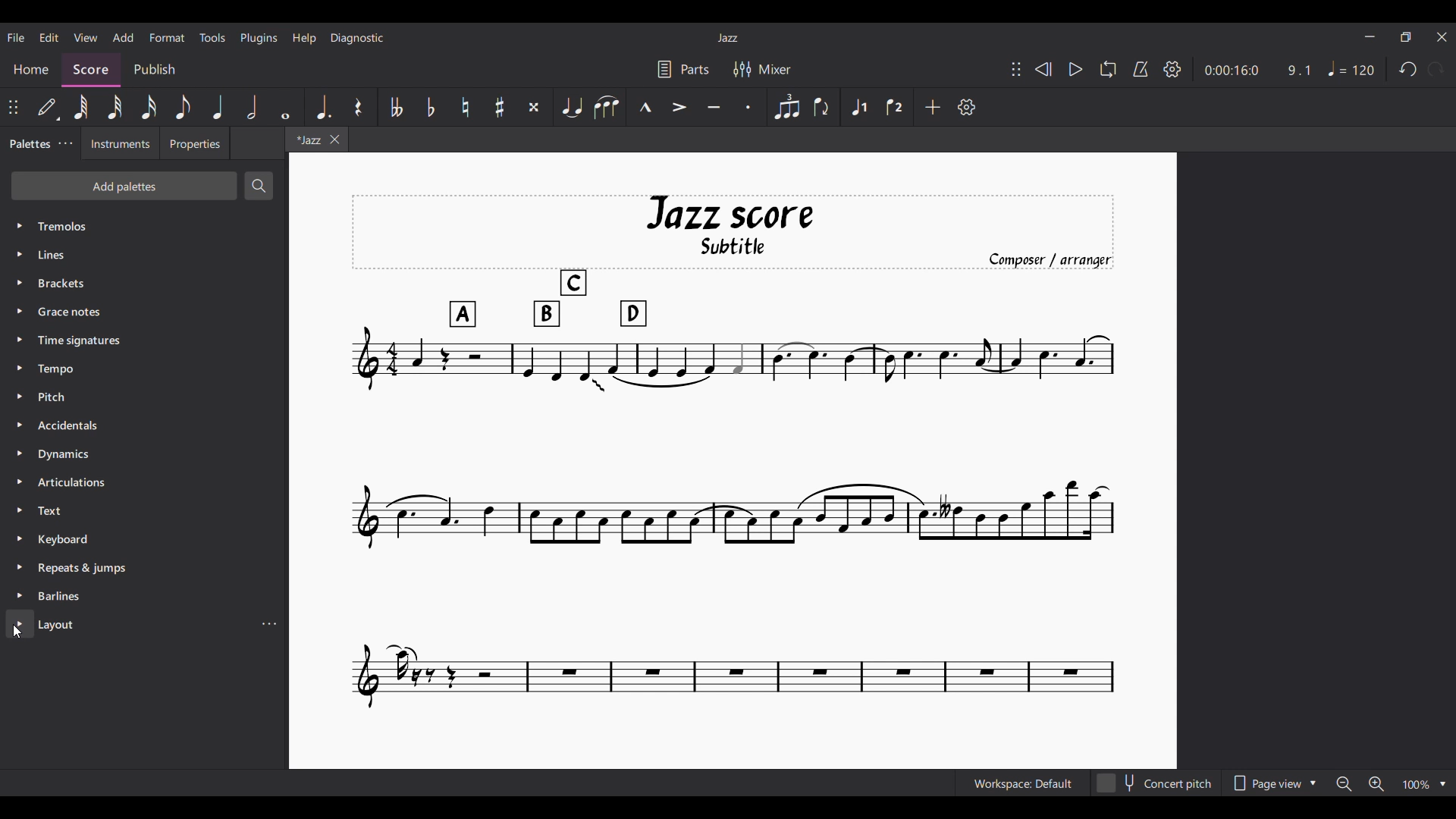 The image size is (1456, 819). Describe the element at coordinates (144, 596) in the screenshot. I see `Barlines` at that location.